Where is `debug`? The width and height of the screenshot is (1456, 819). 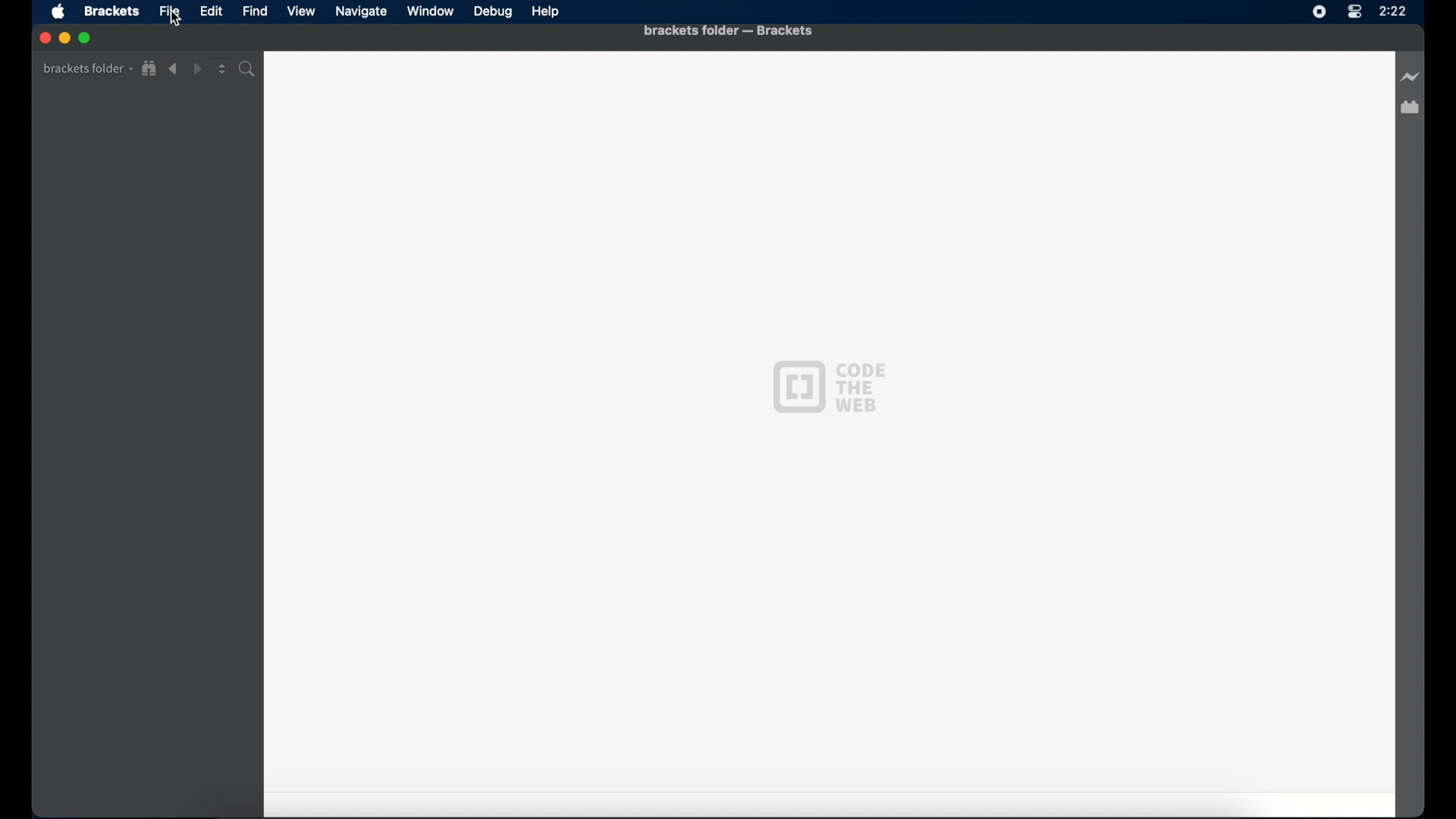
debug is located at coordinates (494, 13).